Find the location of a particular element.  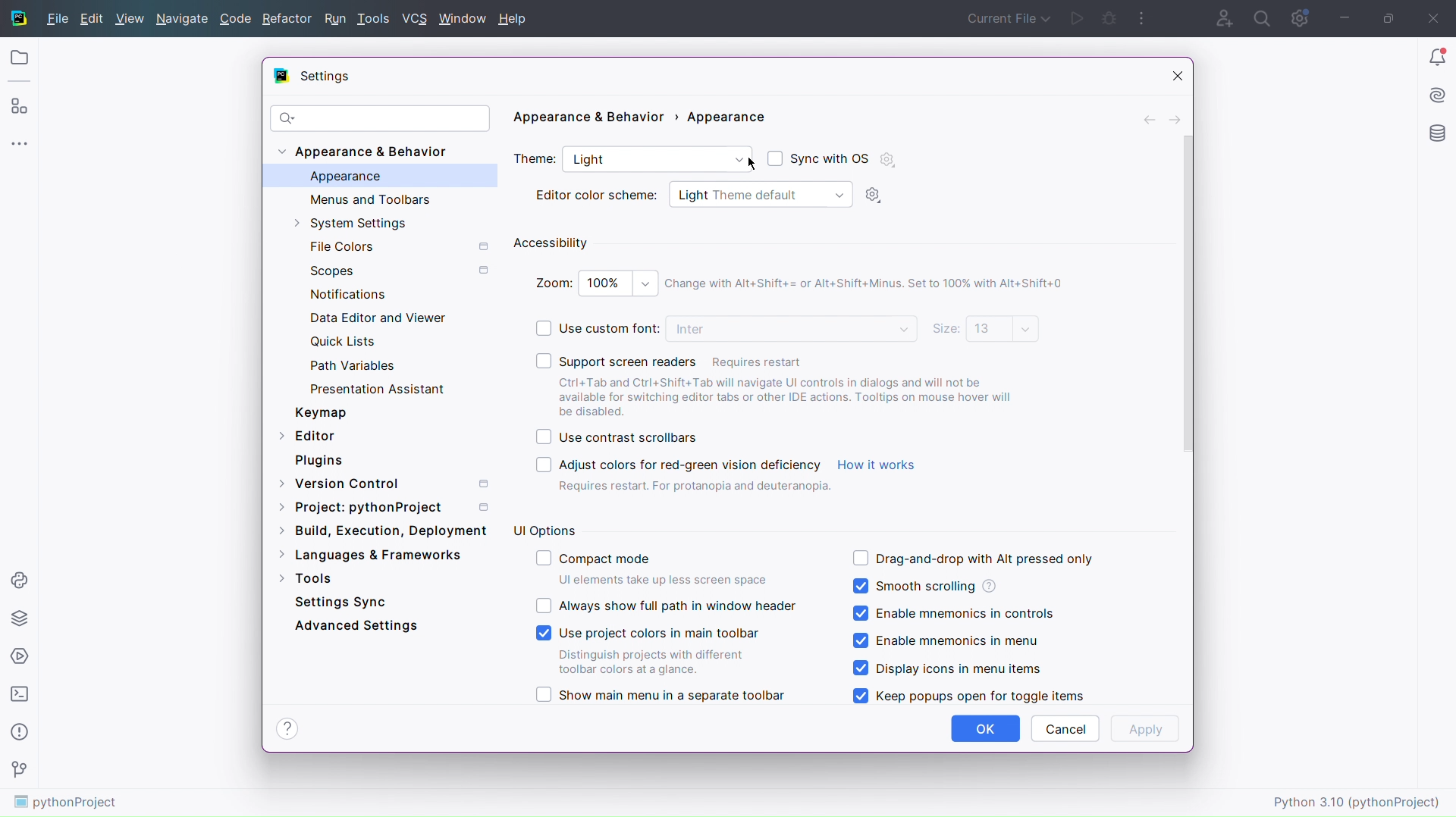

inter is located at coordinates (794, 330).